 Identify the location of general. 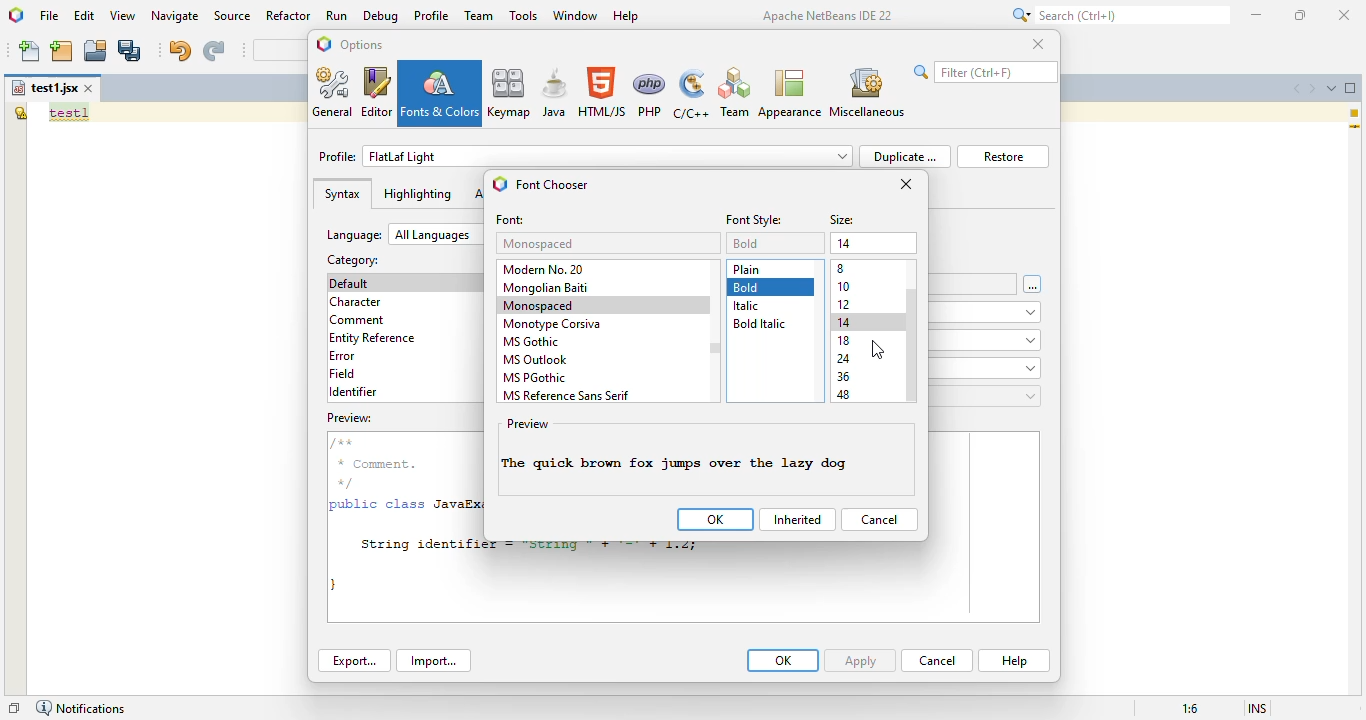
(334, 93).